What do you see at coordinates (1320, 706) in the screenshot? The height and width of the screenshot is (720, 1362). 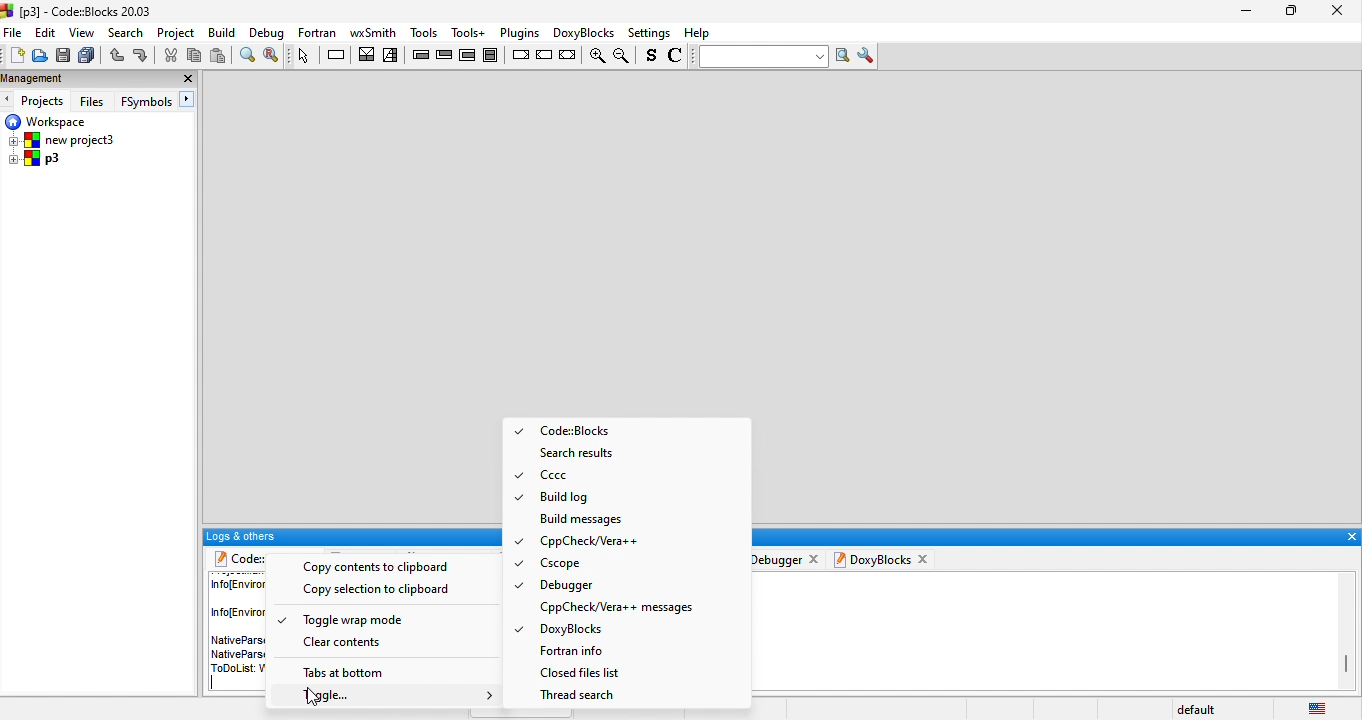 I see `United states (english)` at bounding box center [1320, 706].